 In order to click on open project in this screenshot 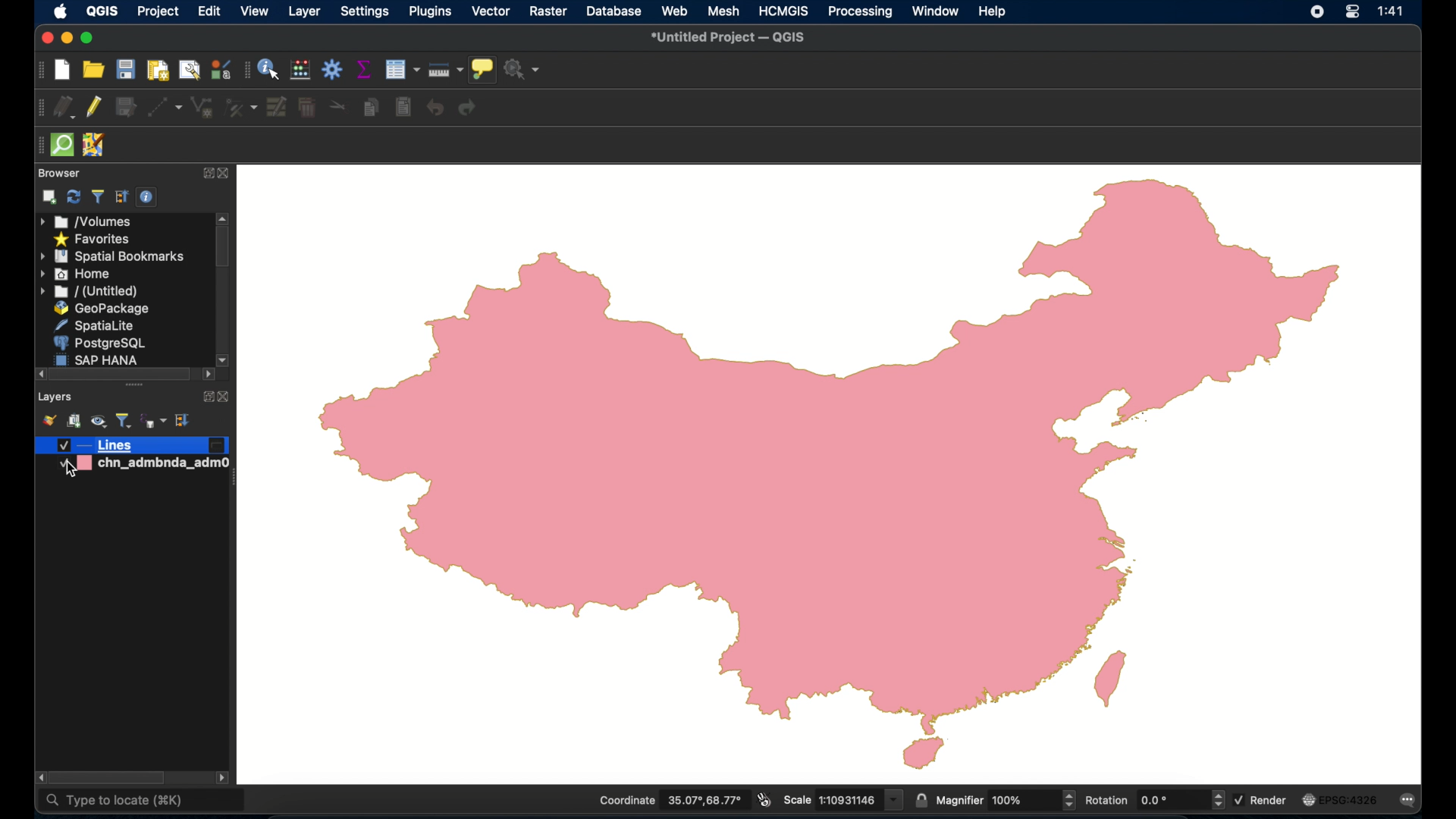, I will do `click(93, 70)`.